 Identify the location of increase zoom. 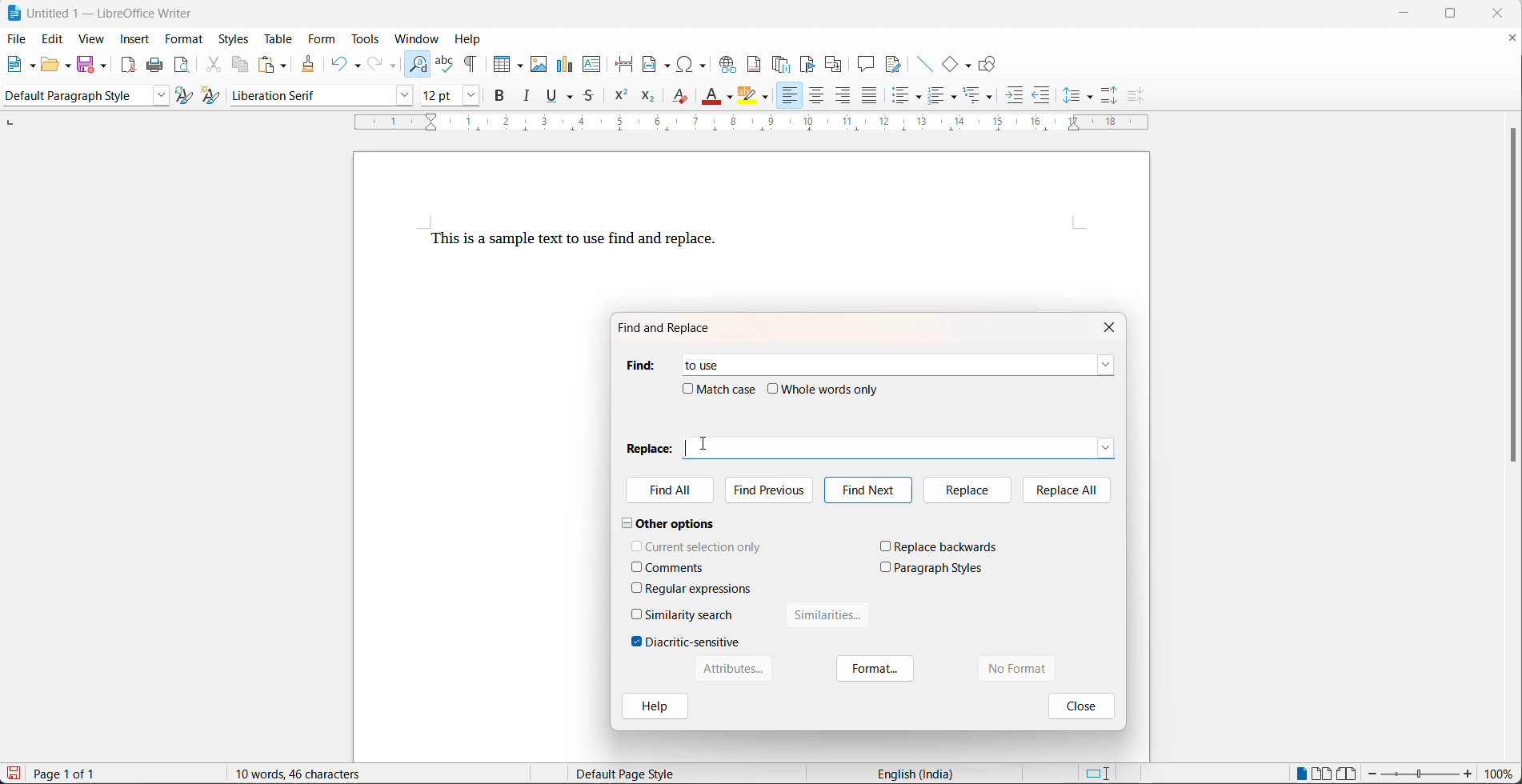
(1470, 775).